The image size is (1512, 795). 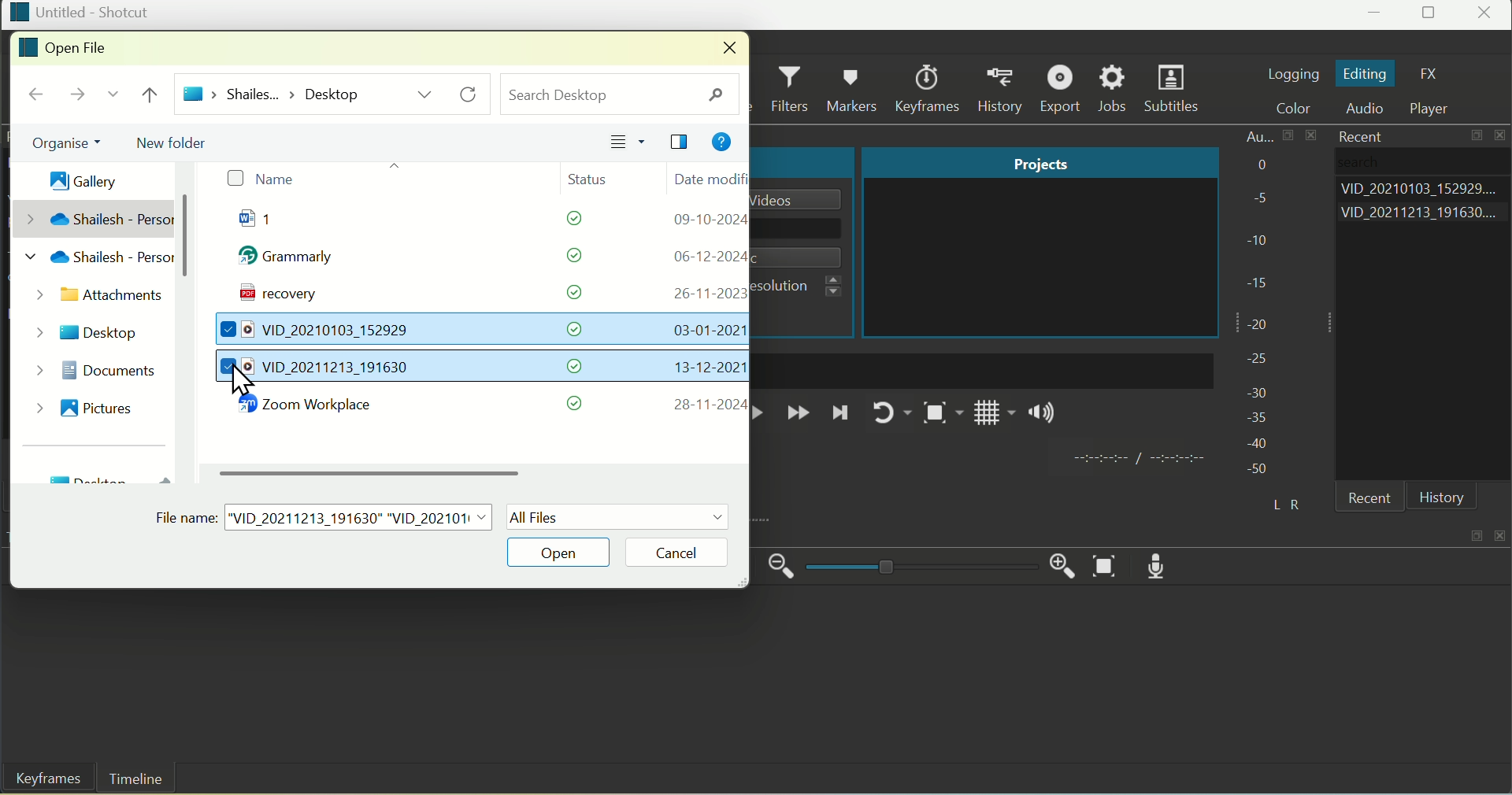 I want to click on Filters, so click(x=792, y=90).